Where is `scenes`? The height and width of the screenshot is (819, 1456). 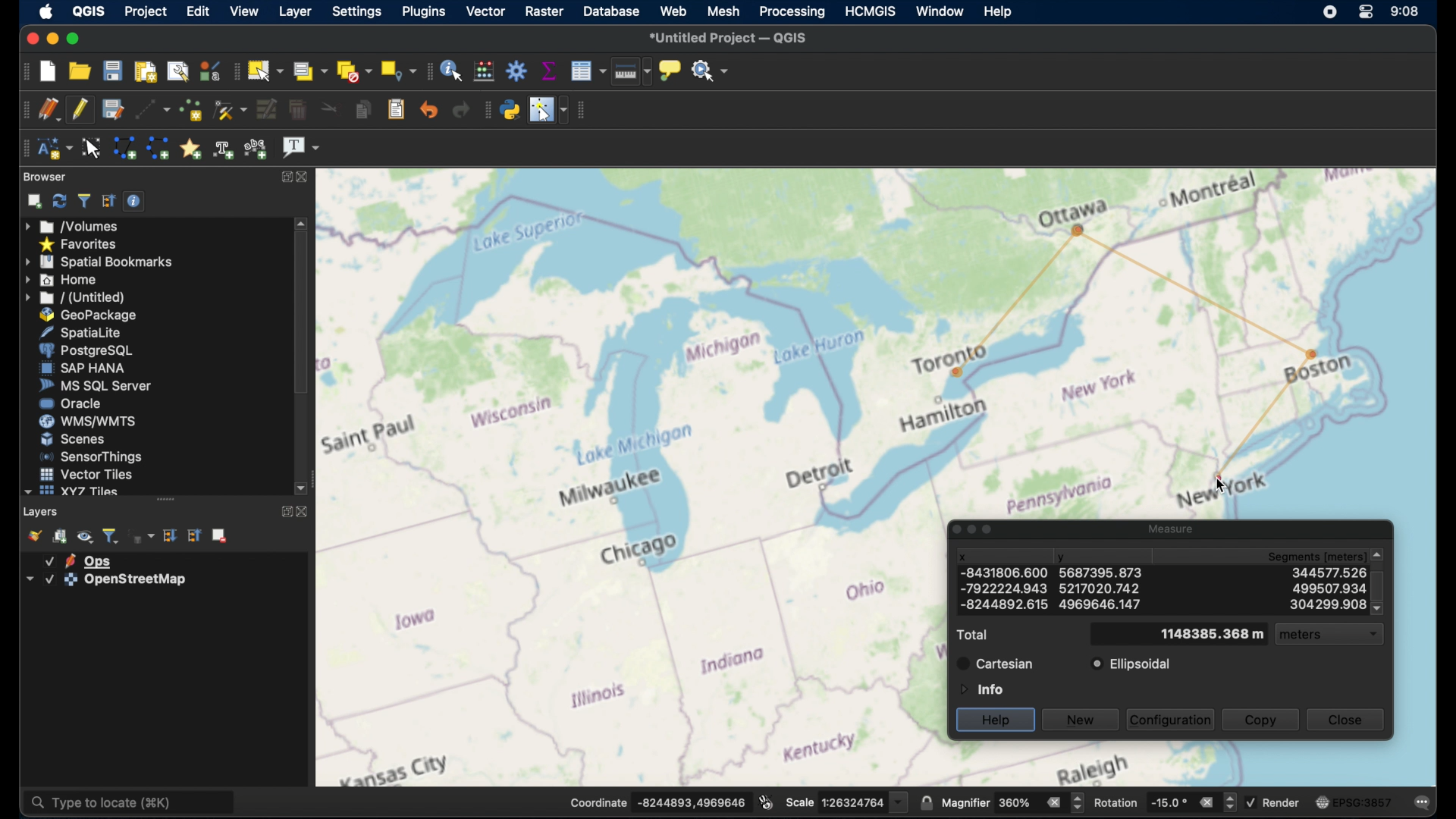
scenes is located at coordinates (72, 439).